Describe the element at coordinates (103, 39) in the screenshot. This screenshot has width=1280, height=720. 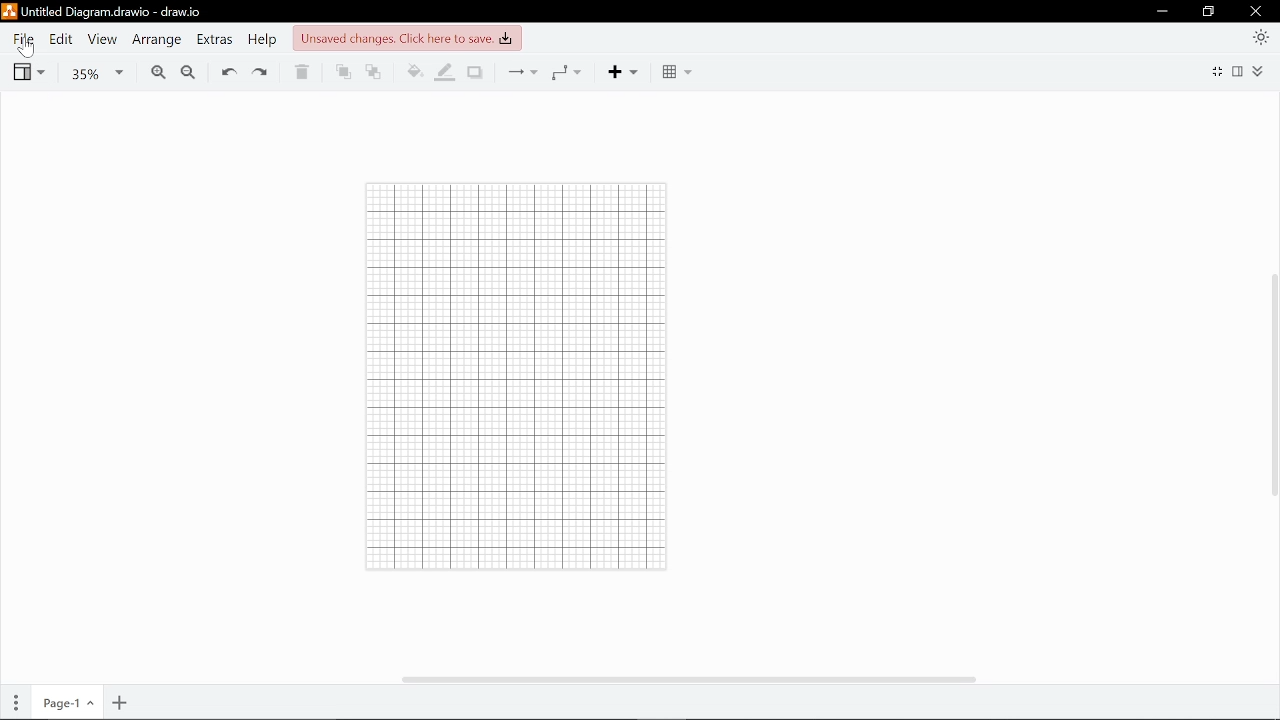
I see `View` at that location.